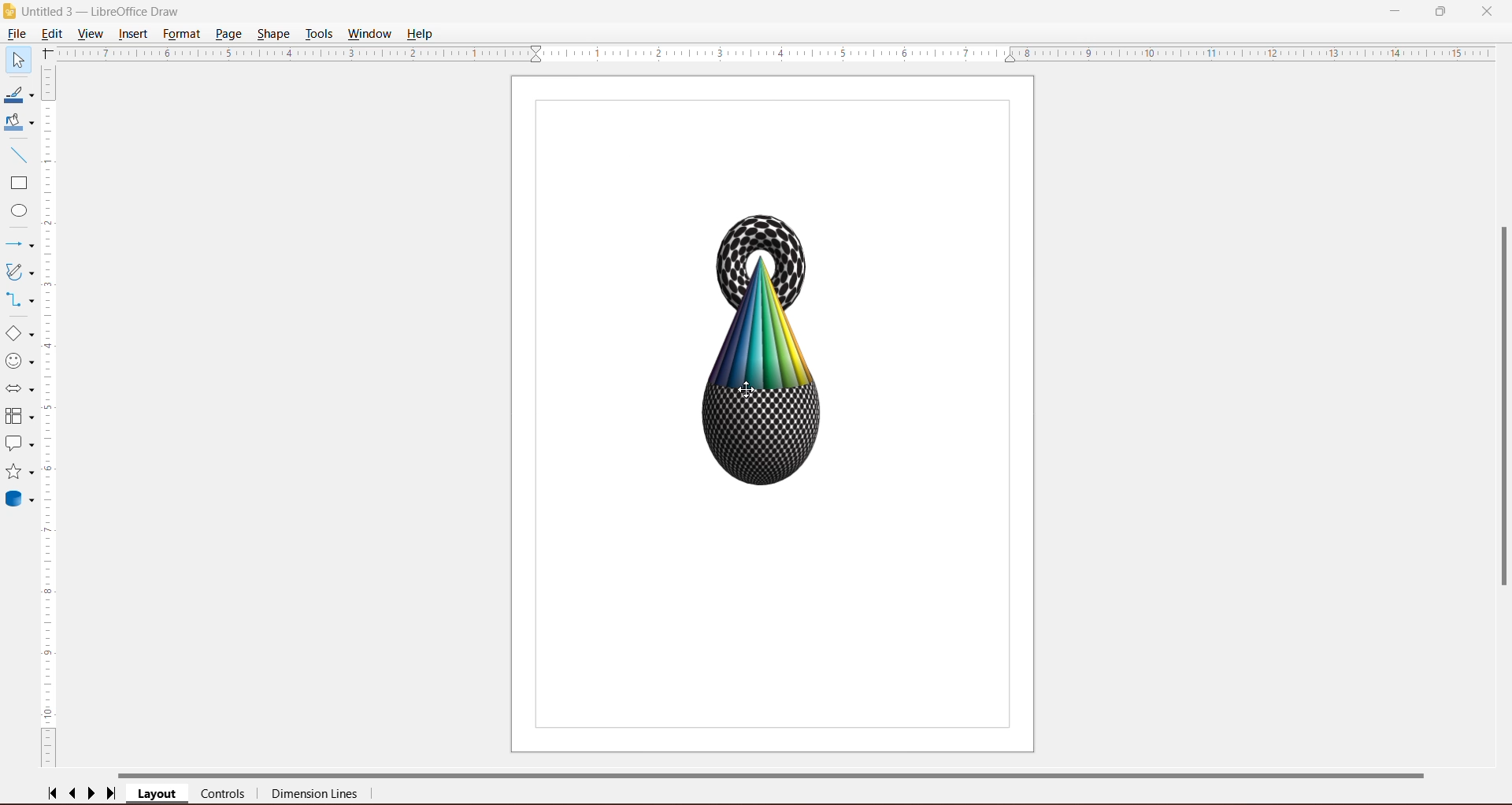 The height and width of the screenshot is (805, 1512). Describe the element at coordinates (20, 299) in the screenshot. I see `Connectors` at that location.